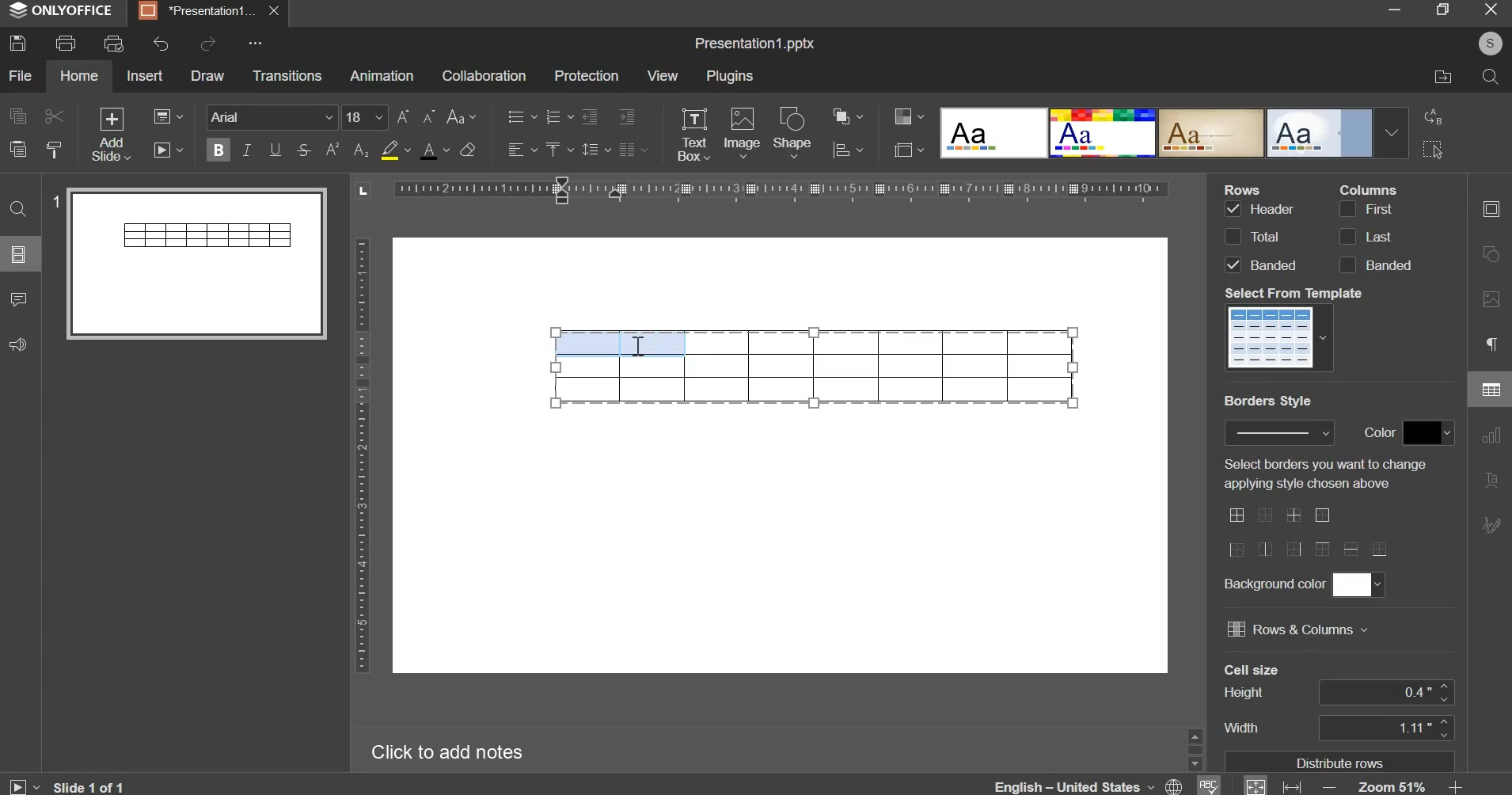 This screenshot has width=1512, height=795. I want to click on ONLYOFFICE , so click(64, 11).